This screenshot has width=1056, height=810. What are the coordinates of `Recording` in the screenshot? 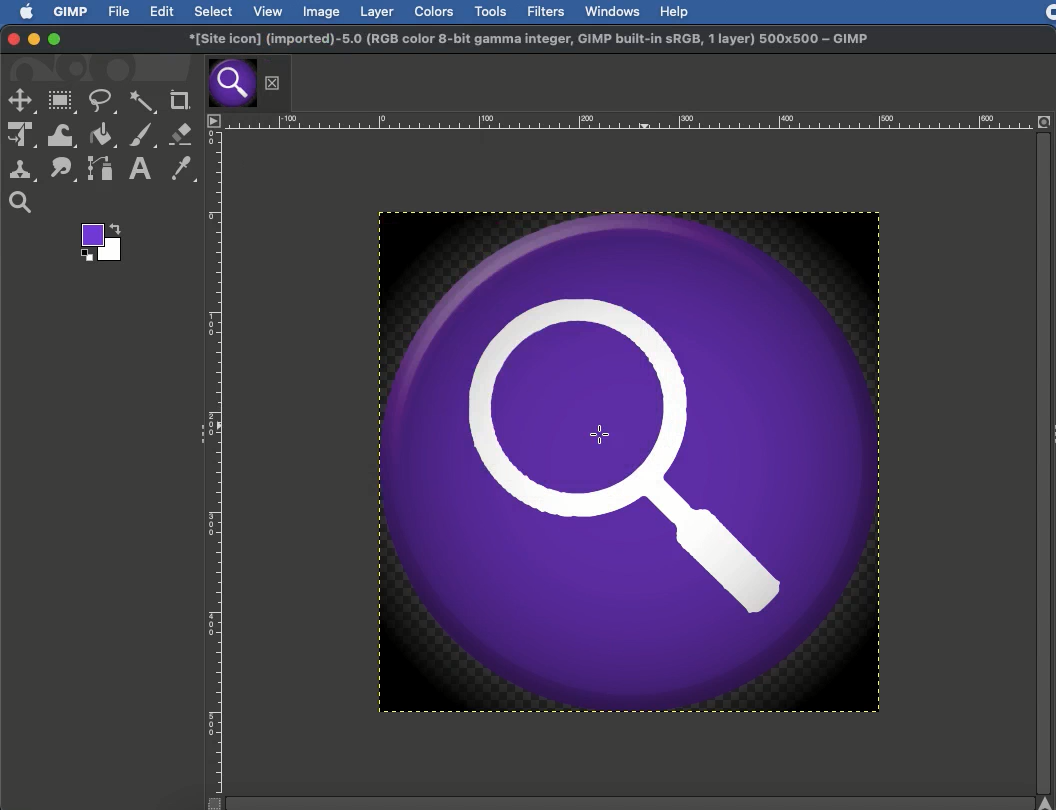 It's located at (1050, 13).